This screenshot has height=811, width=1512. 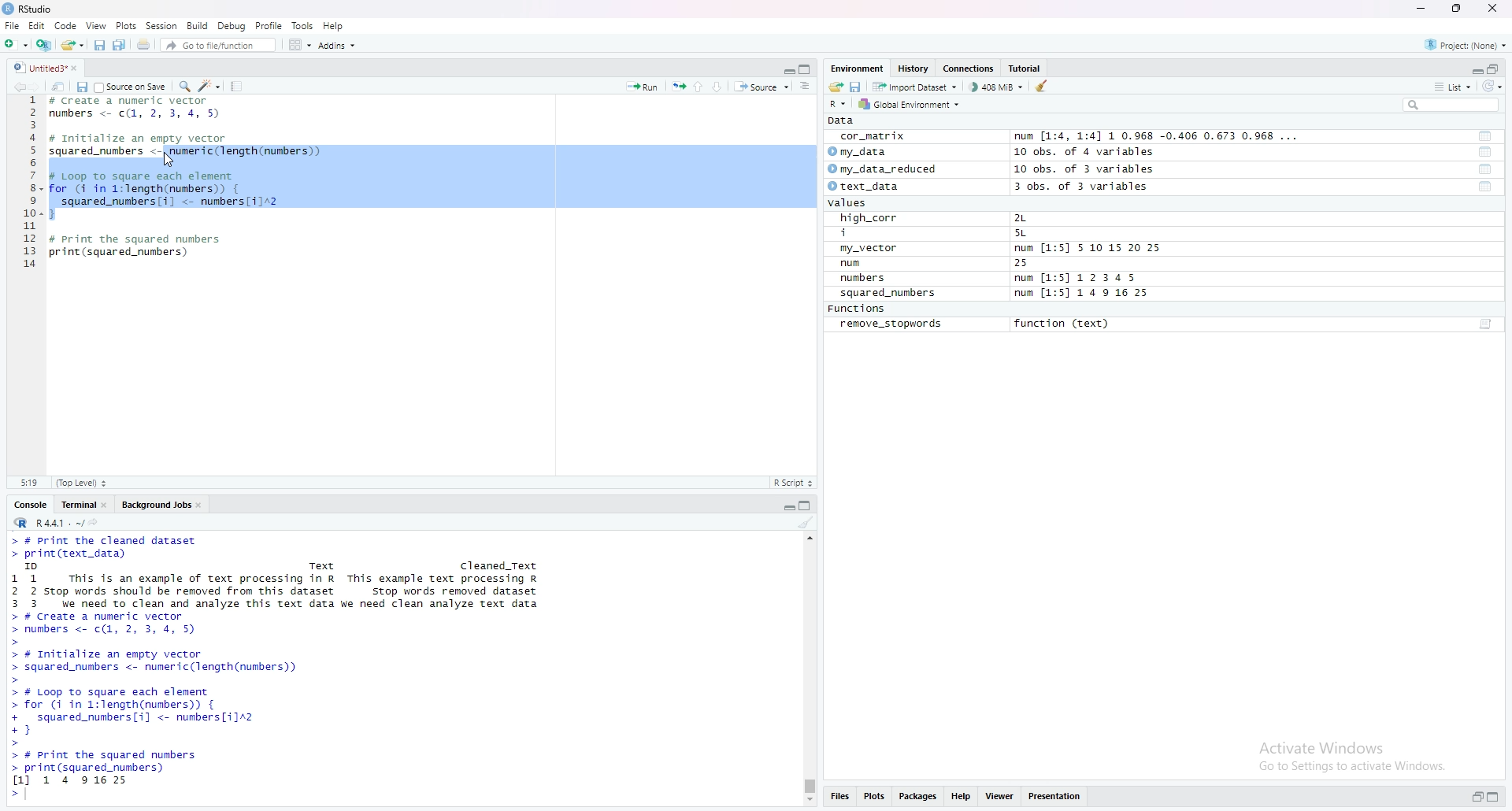 What do you see at coordinates (880, 169) in the screenshot?
I see `© my_data_reduced` at bounding box center [880, 169].